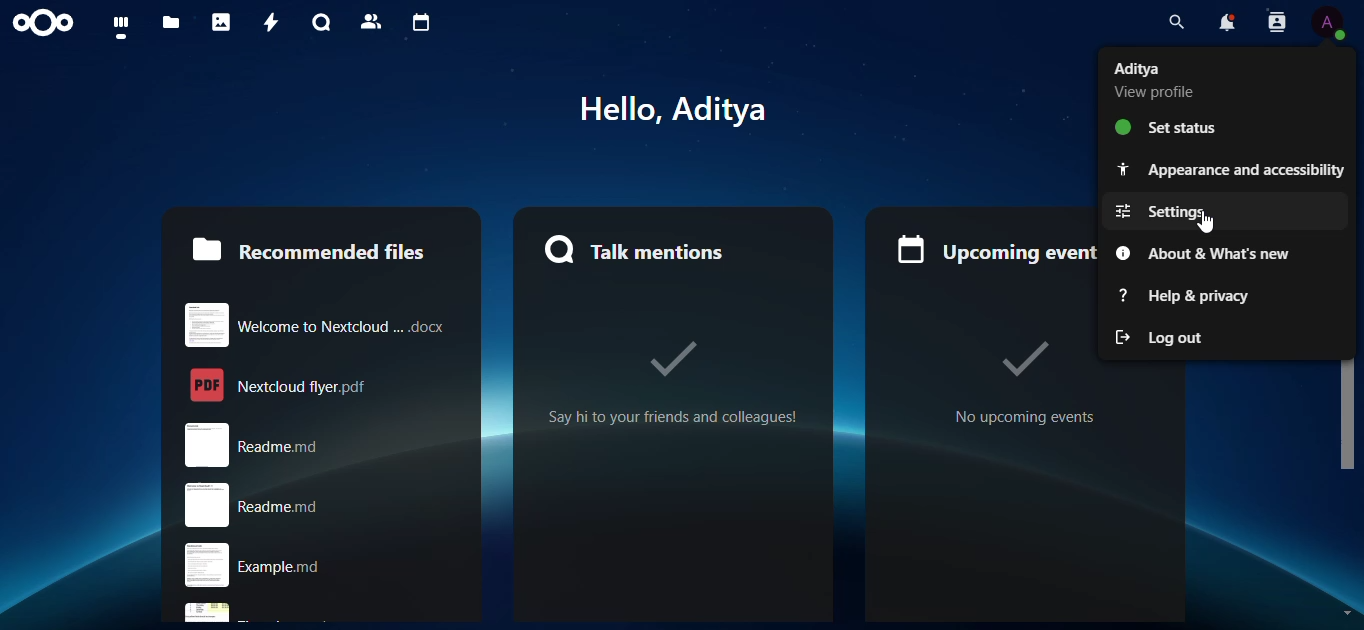 The image size is (1364, 630). I want to click on profile, so click(1329, 23).